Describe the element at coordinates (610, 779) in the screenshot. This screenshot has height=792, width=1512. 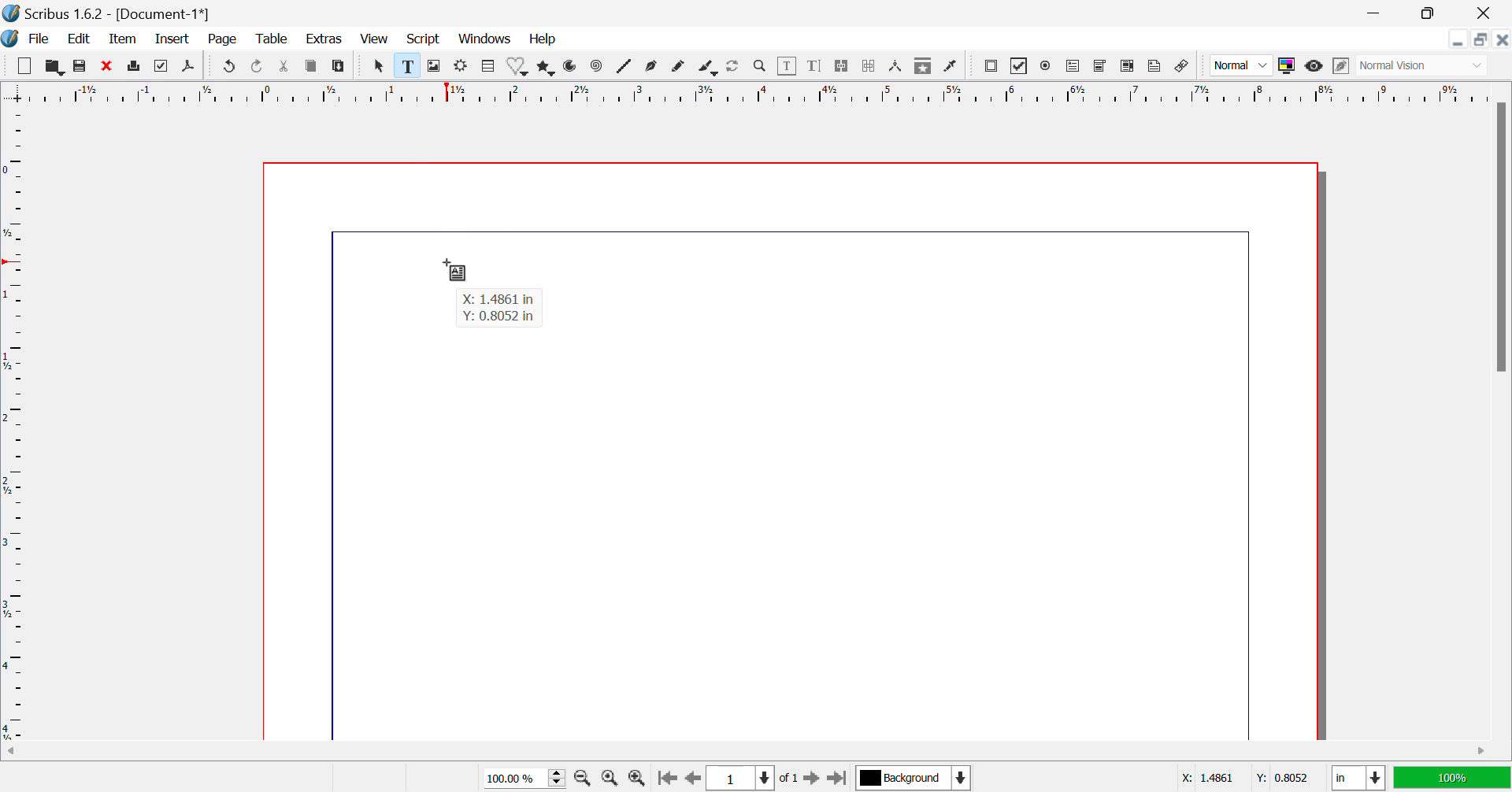
I see `Zoom to 100%` at that location.